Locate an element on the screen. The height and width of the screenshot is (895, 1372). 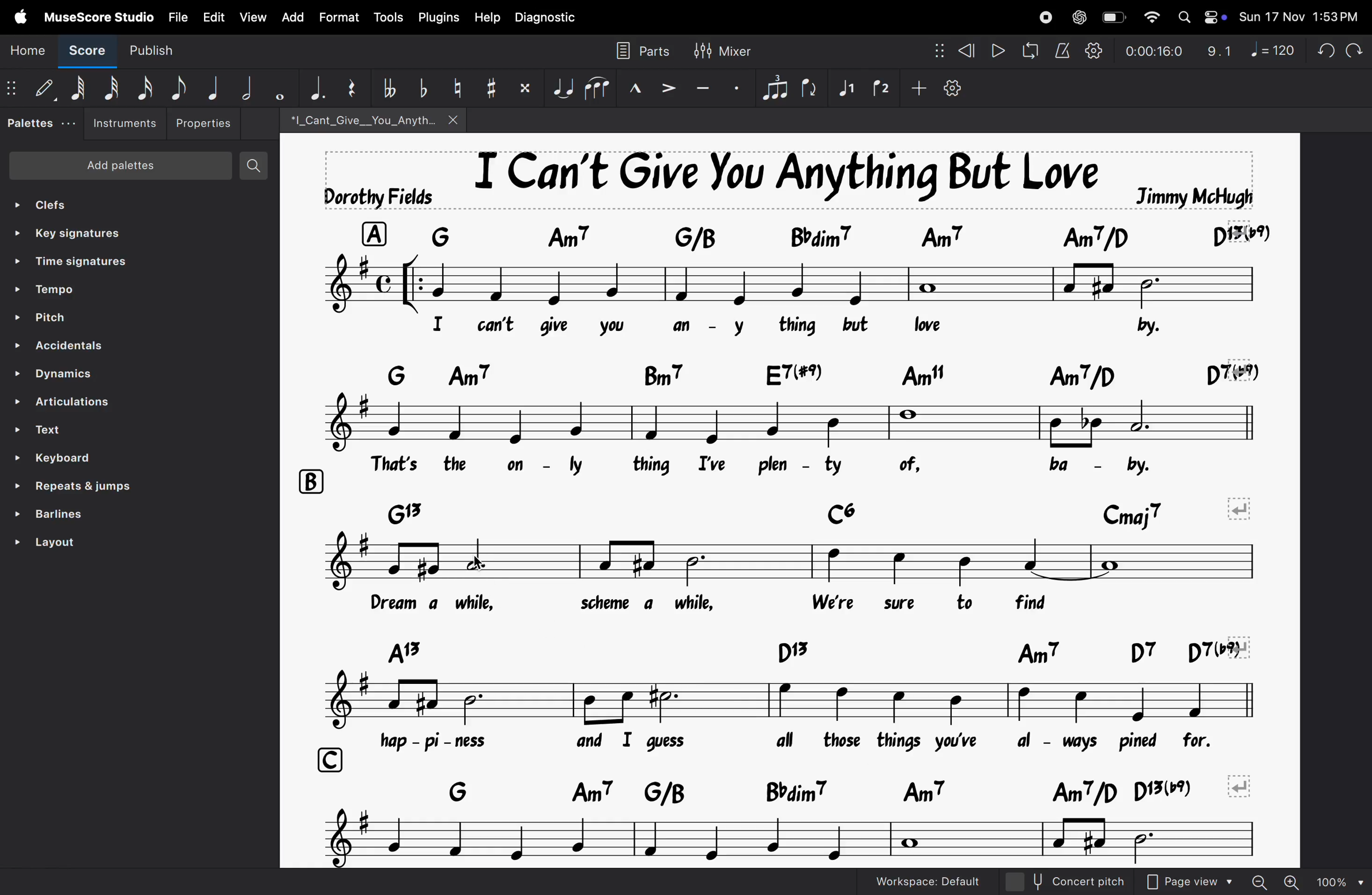
Apple widgets is located at coordinates (1201, 17).